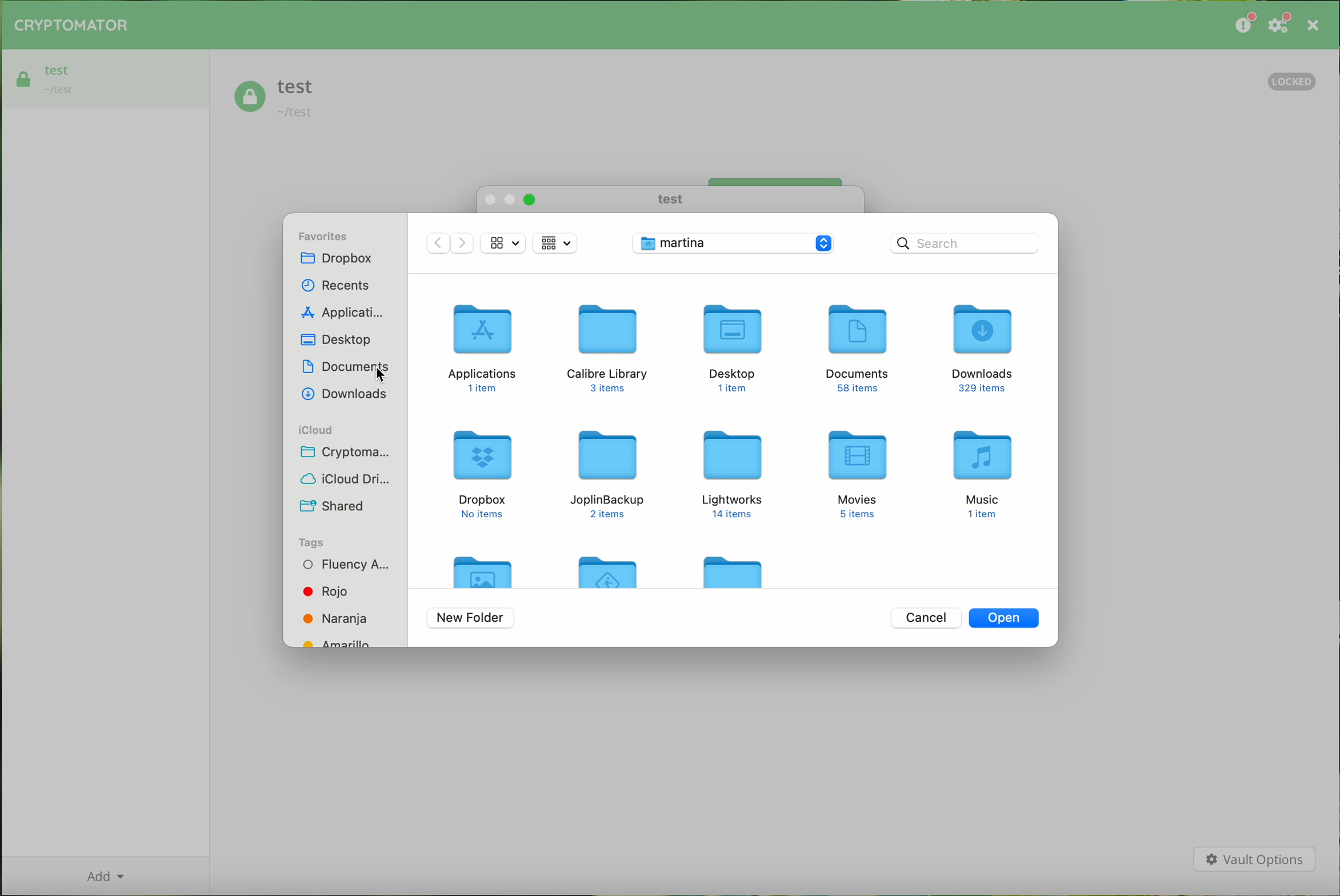 The image size is (1340, 896). What do you see at coordinates (1312, 25) in the screenshot?
I see `close` at bounding box center [1312, 25].